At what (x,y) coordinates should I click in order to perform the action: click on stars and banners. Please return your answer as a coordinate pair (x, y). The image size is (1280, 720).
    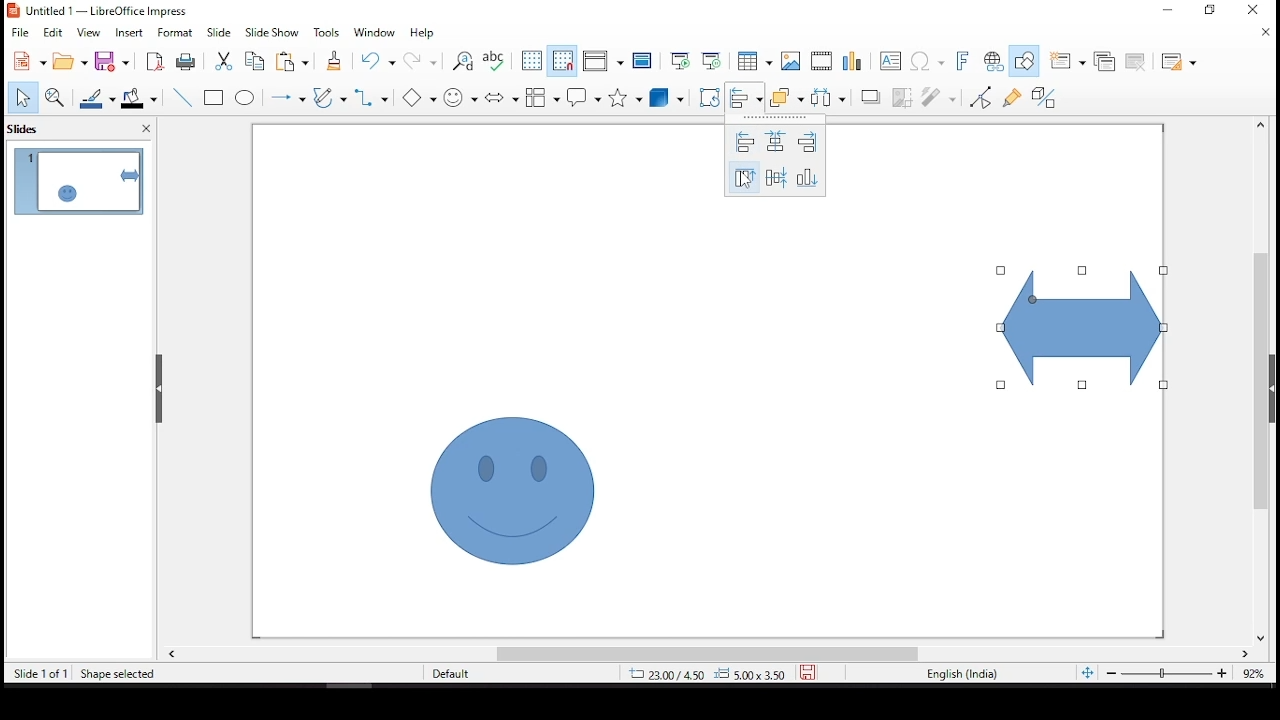
    Looking at the image, I should click on (622, 97).